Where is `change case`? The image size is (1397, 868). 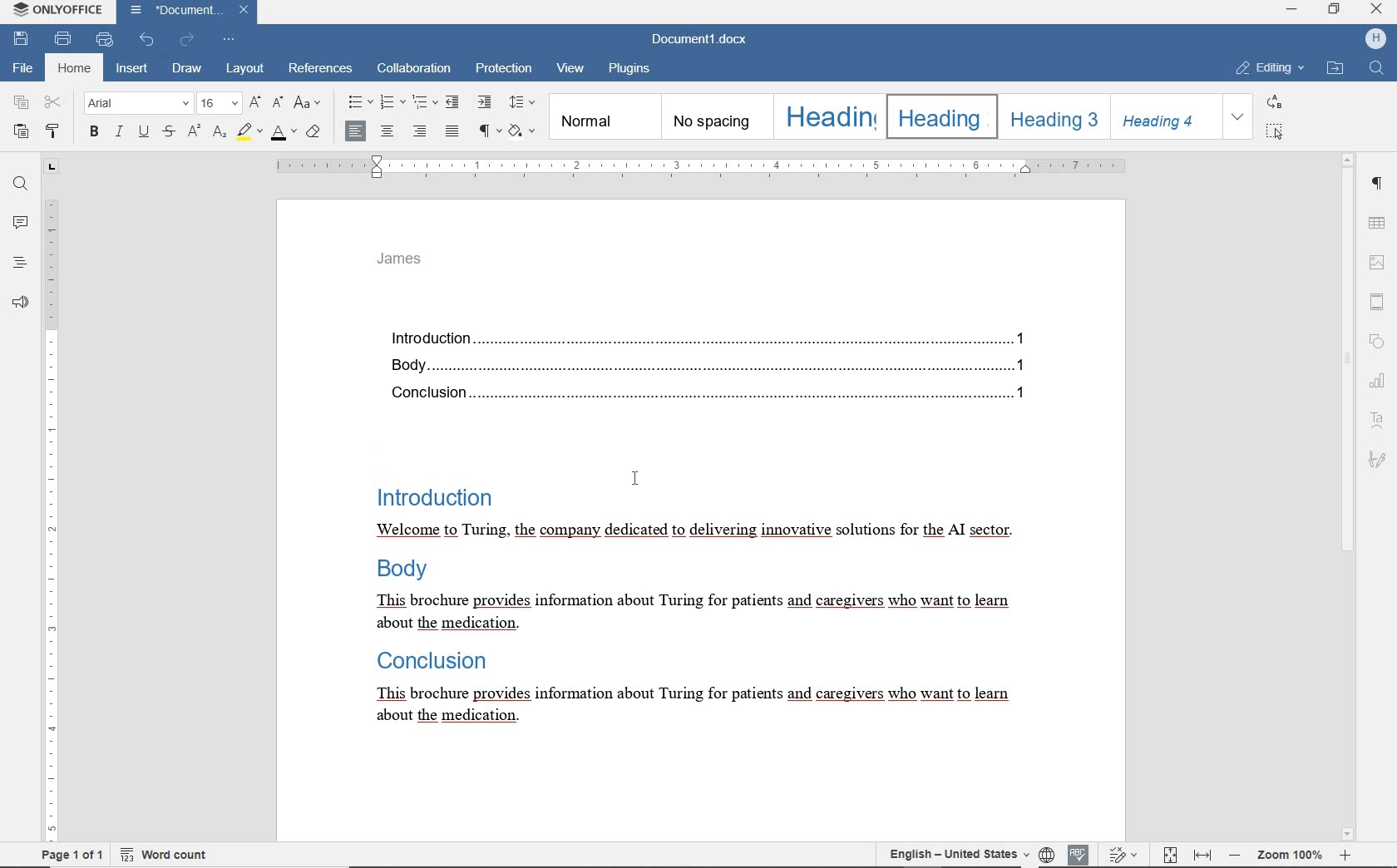
change case is located at coordinates (310, 104).